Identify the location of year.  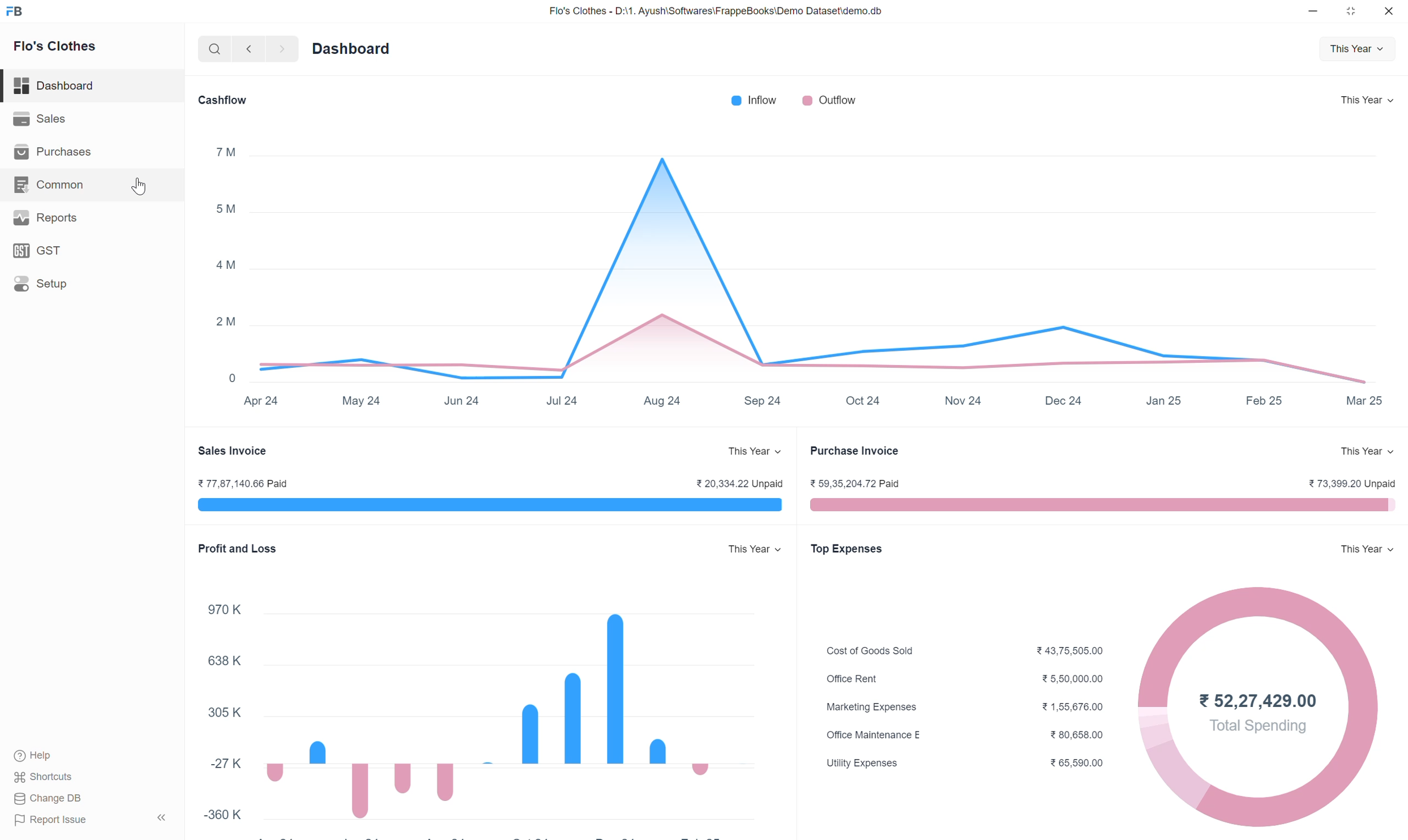
(1356, 49).